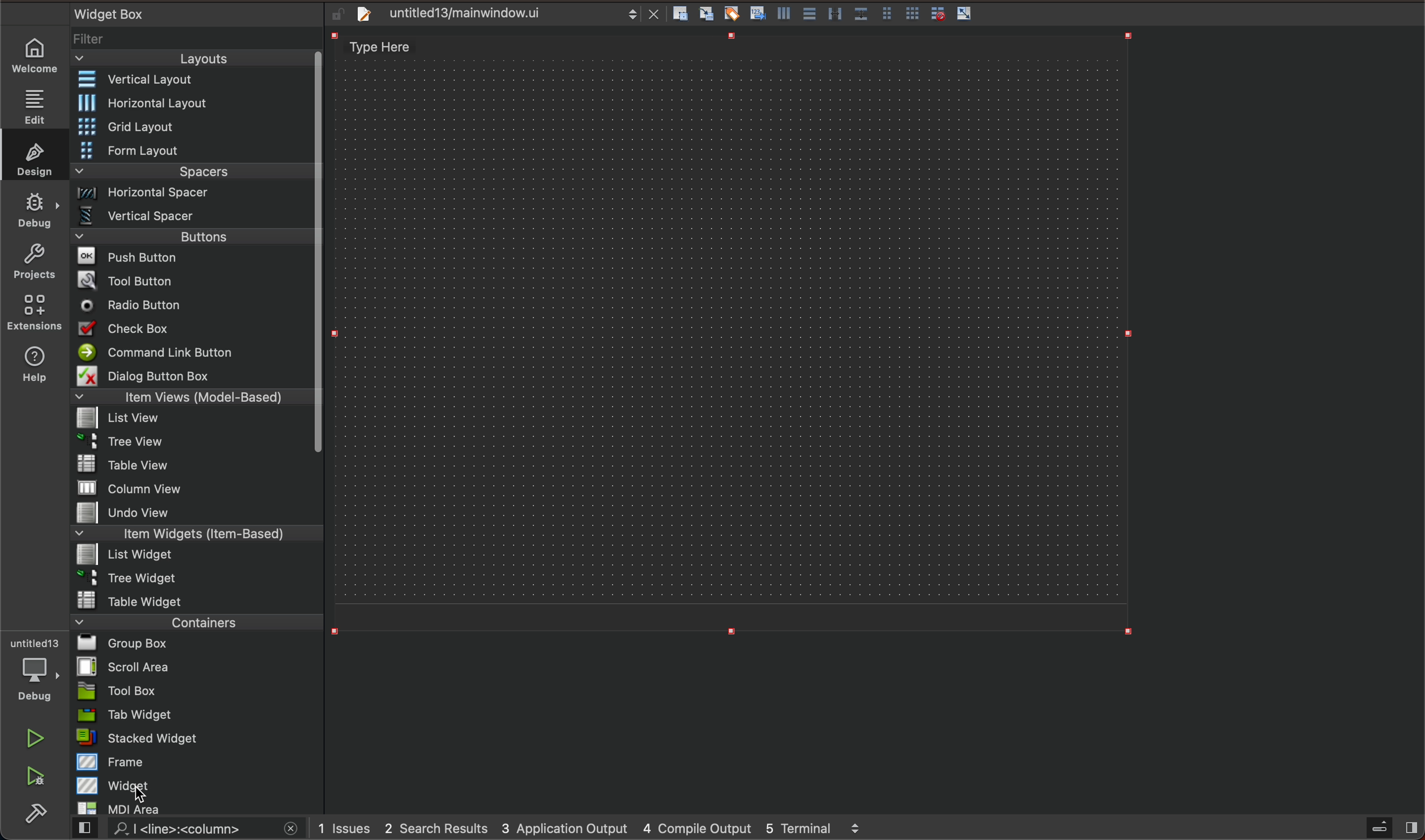 The image size is (1425, 840). Describe the element at coordinates (193, 397) in the screenshot. I see `items view` at that location.